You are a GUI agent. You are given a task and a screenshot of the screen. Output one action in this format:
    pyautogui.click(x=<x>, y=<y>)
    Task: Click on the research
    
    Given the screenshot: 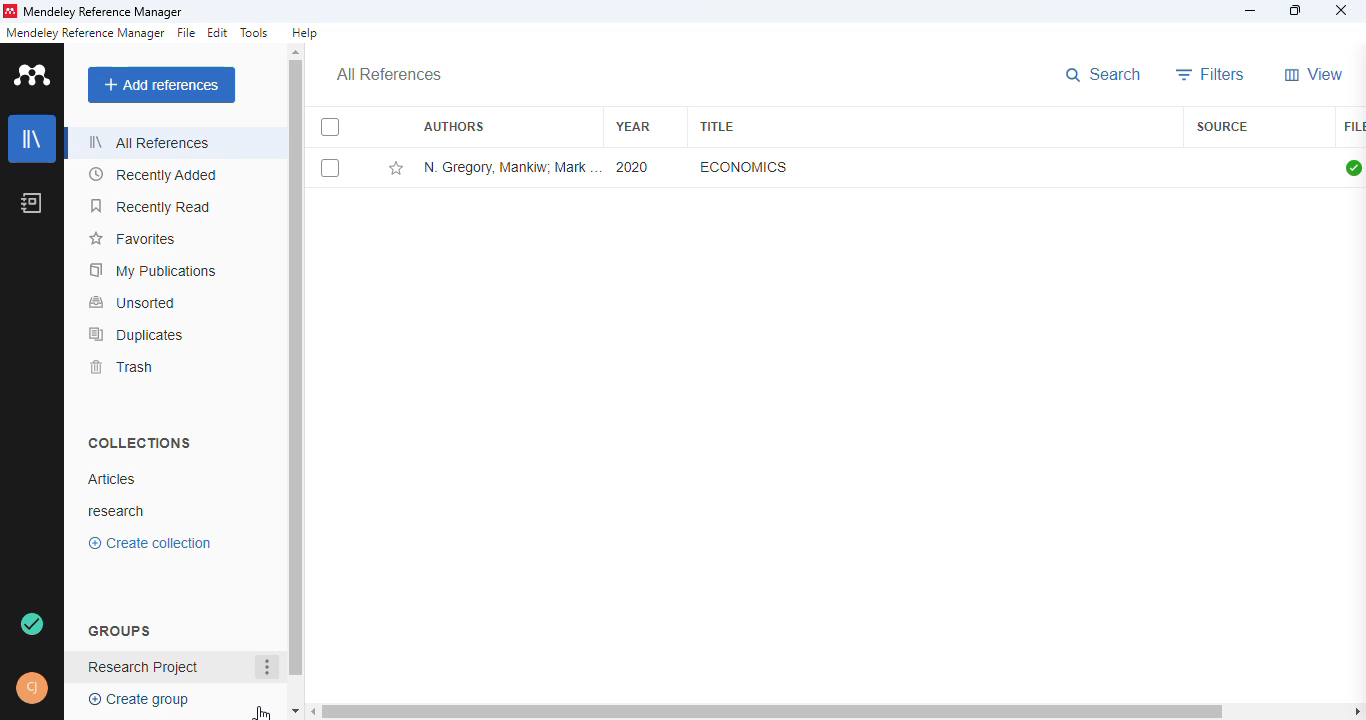 What is the action you would take?
    pyautogui.click(x=116, y=511)
    